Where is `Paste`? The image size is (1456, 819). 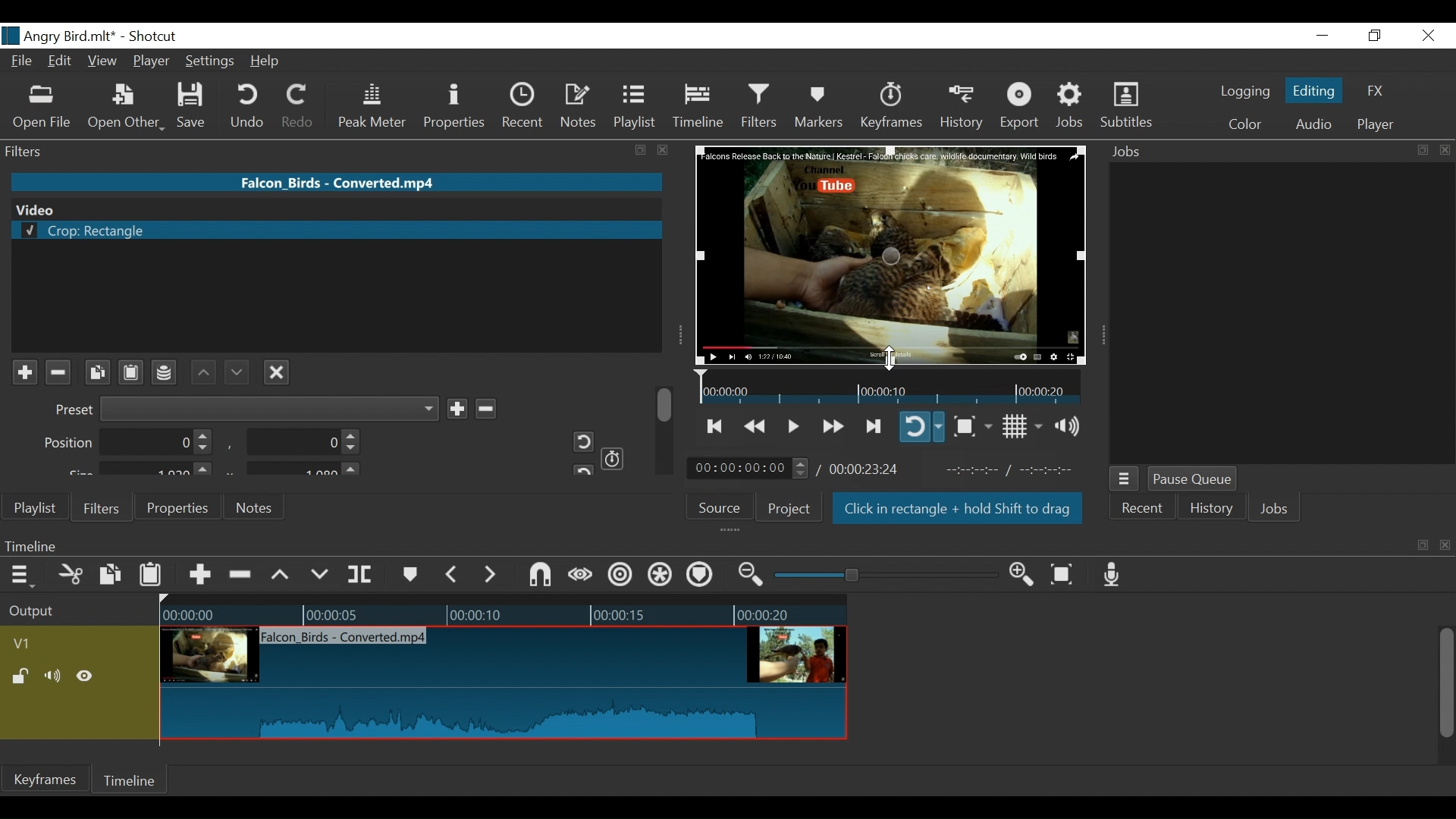
Paste is located at coordinates (152, 578).